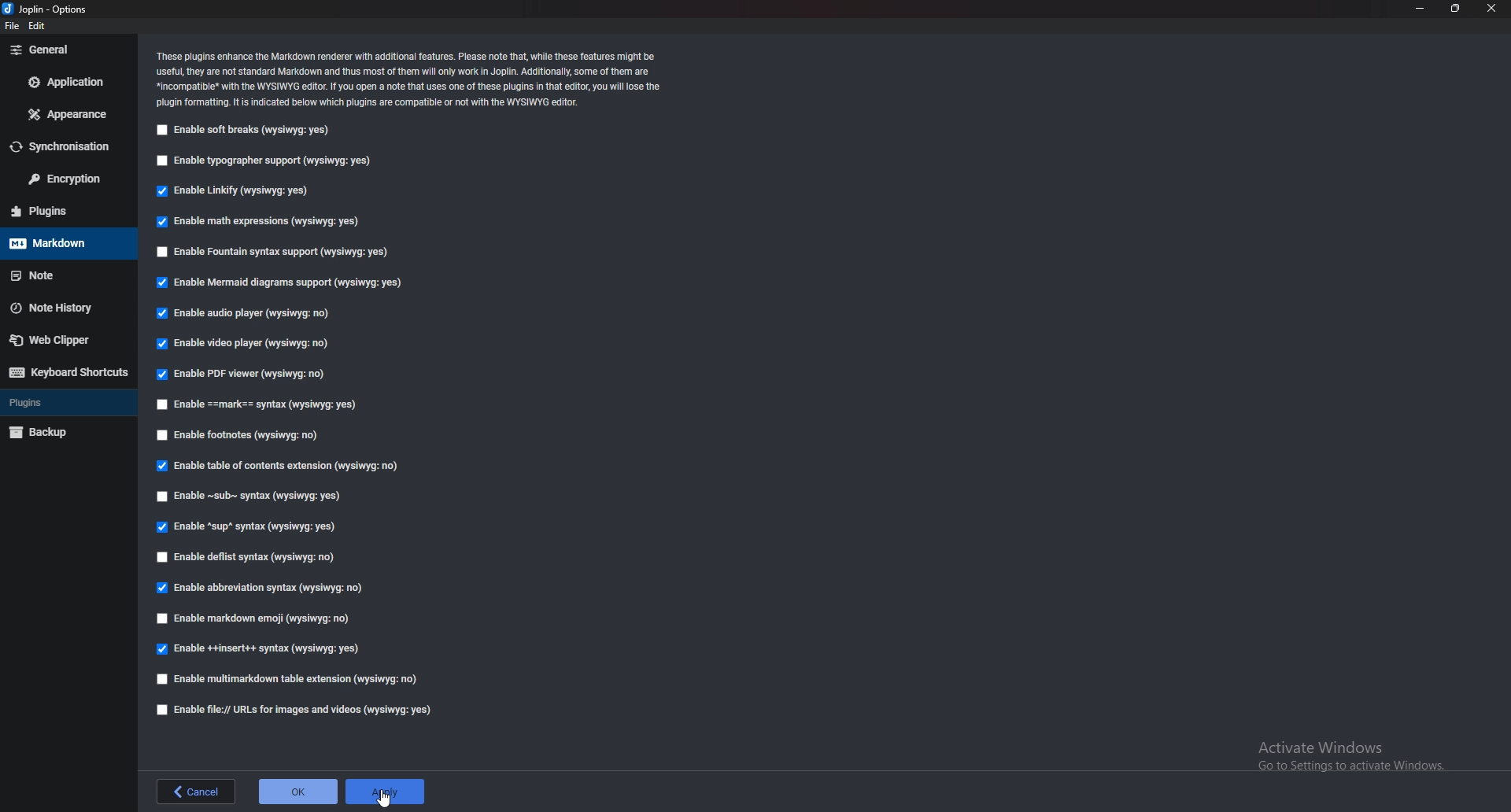  What do you see at coordinates (65, 179) in the screenshot?
I see `Encryption` at bounding box center [65, 179].